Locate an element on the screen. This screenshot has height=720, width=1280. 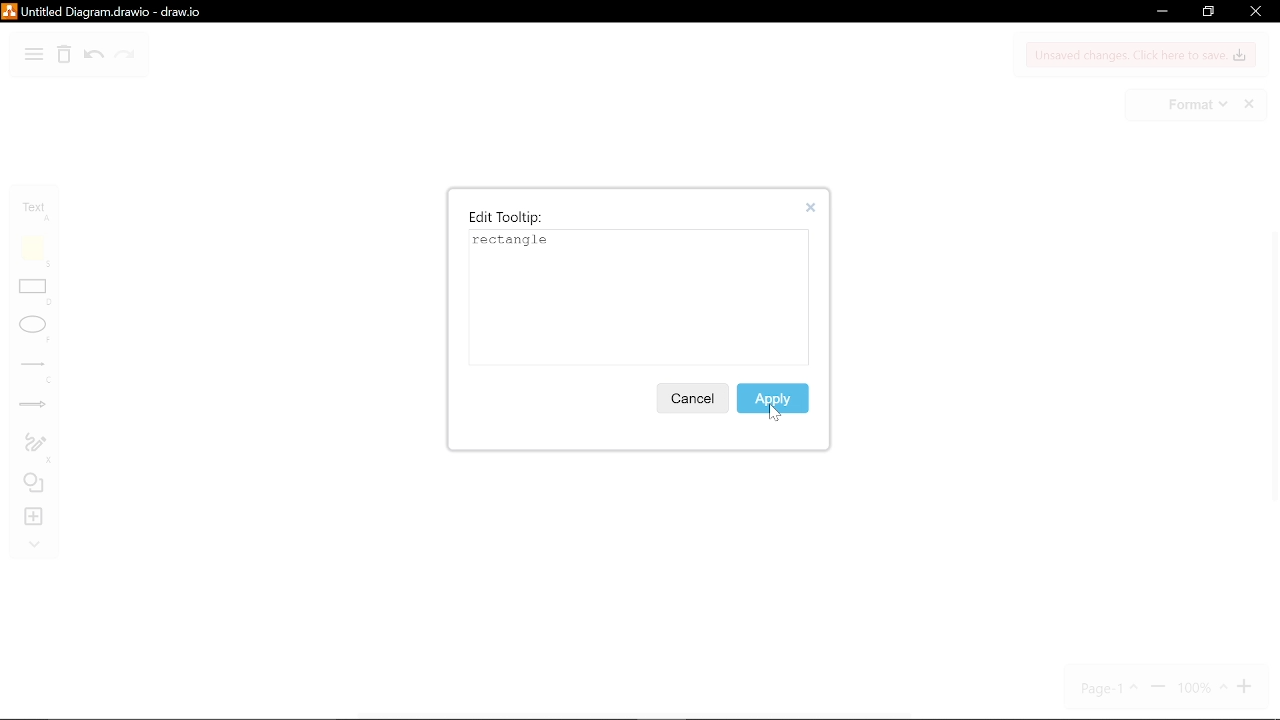
close is located at coordinates (1254, 12).